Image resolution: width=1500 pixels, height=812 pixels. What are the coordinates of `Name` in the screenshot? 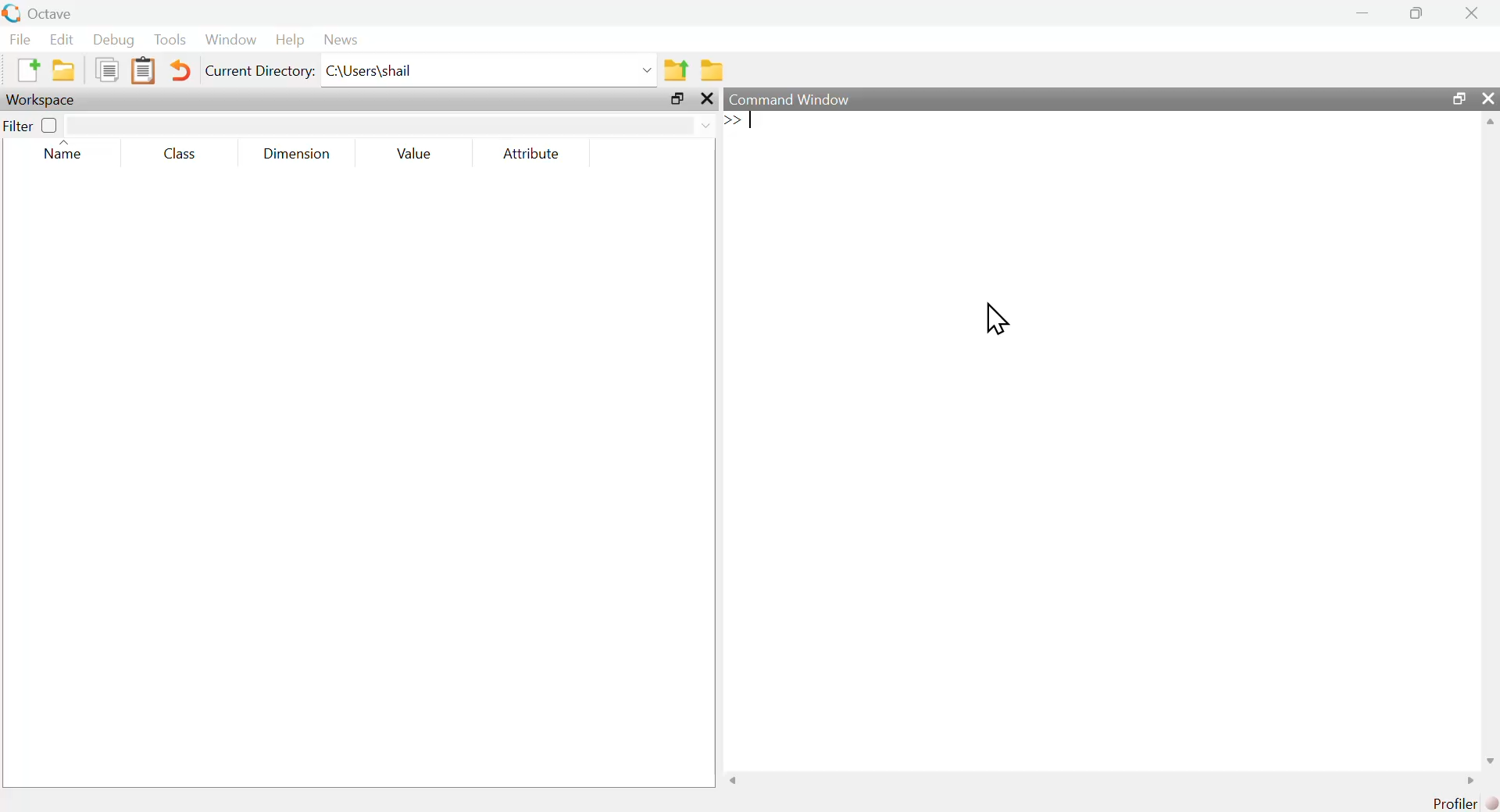 It's located at (64, 152).